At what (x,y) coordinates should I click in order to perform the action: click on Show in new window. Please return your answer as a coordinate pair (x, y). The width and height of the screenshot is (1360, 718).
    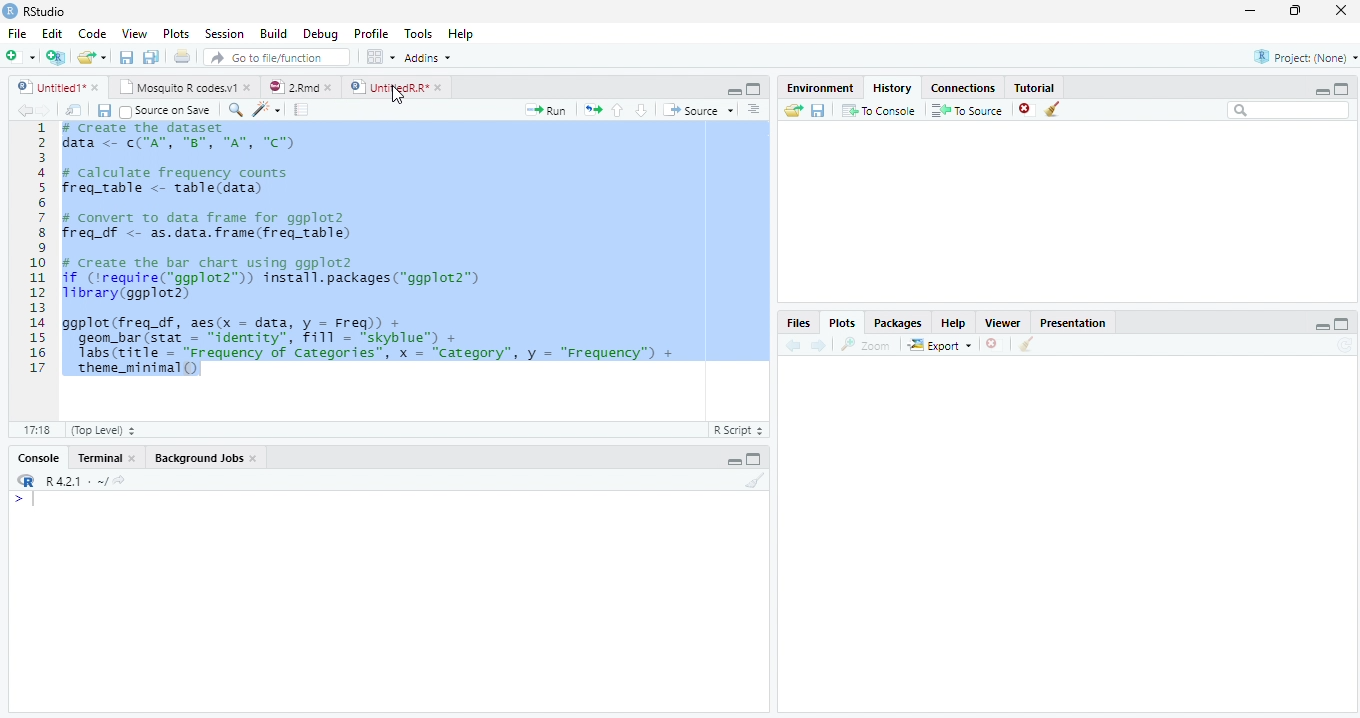
    Looking at the image, I should click on (74, 110).